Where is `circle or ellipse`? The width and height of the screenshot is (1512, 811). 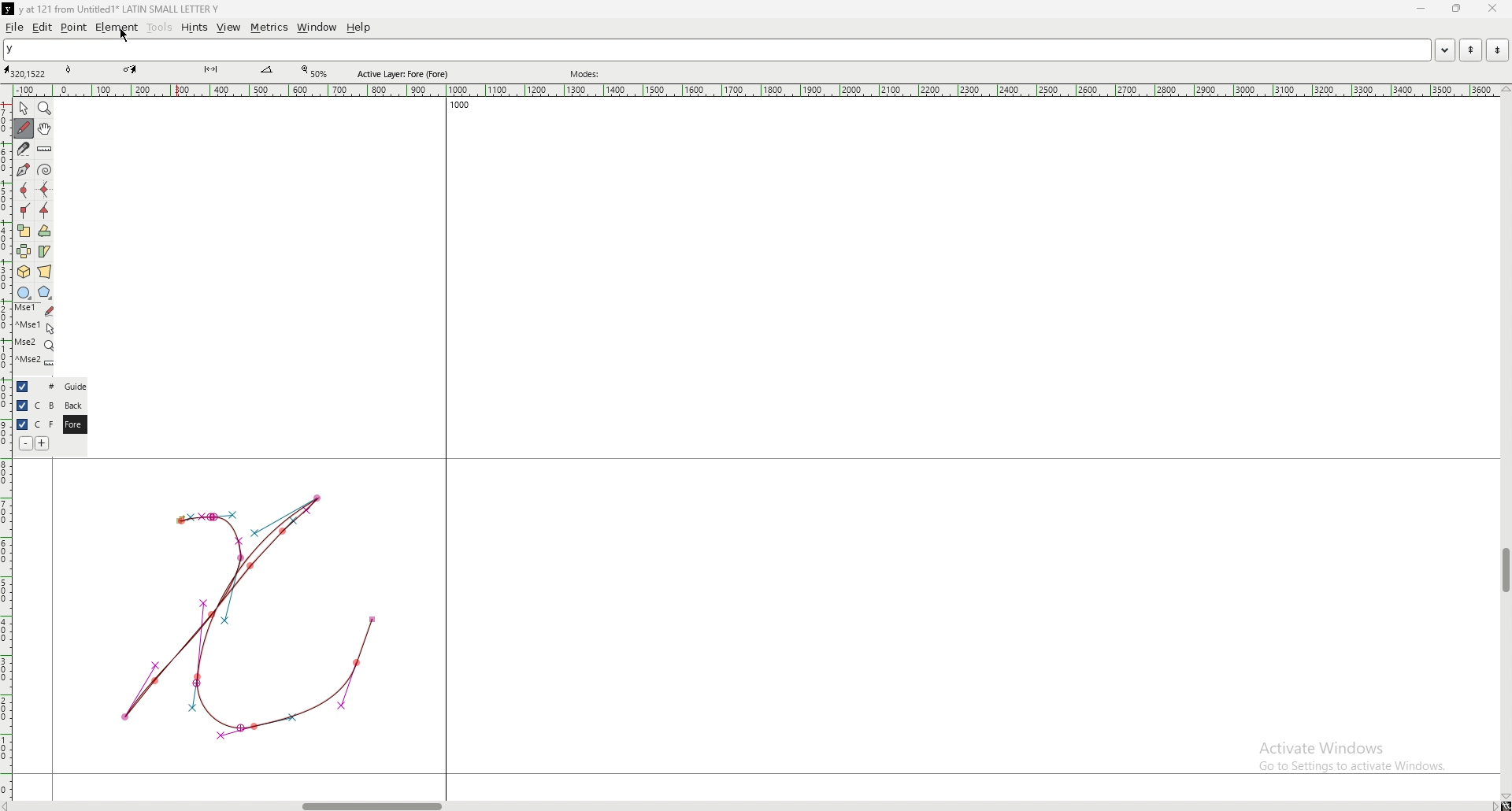 circle or ellipse is located at coordinates (24, 292).